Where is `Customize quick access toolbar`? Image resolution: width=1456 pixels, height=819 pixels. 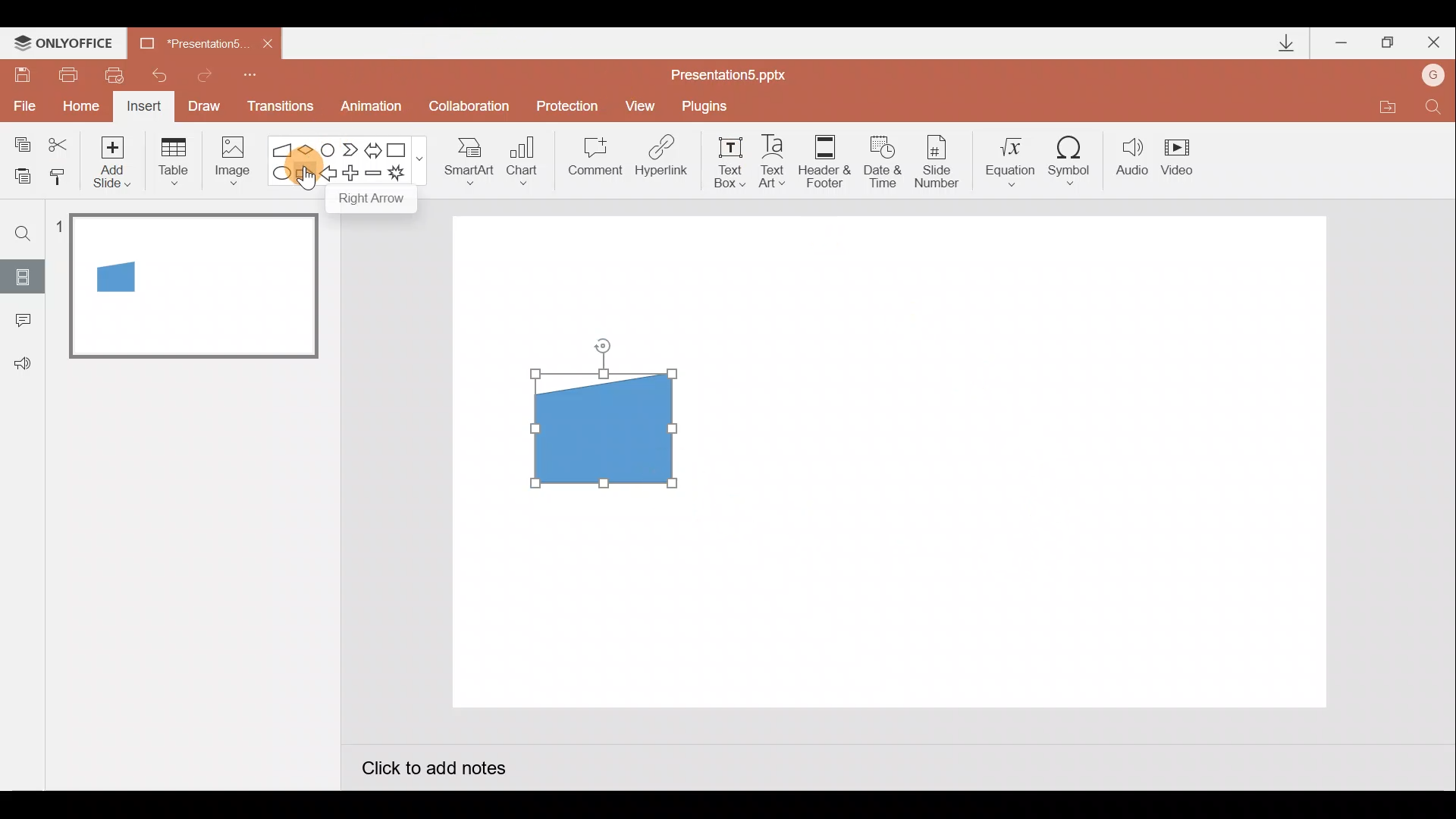
Customize quick access toolbar is located at coordinates (250, 73).